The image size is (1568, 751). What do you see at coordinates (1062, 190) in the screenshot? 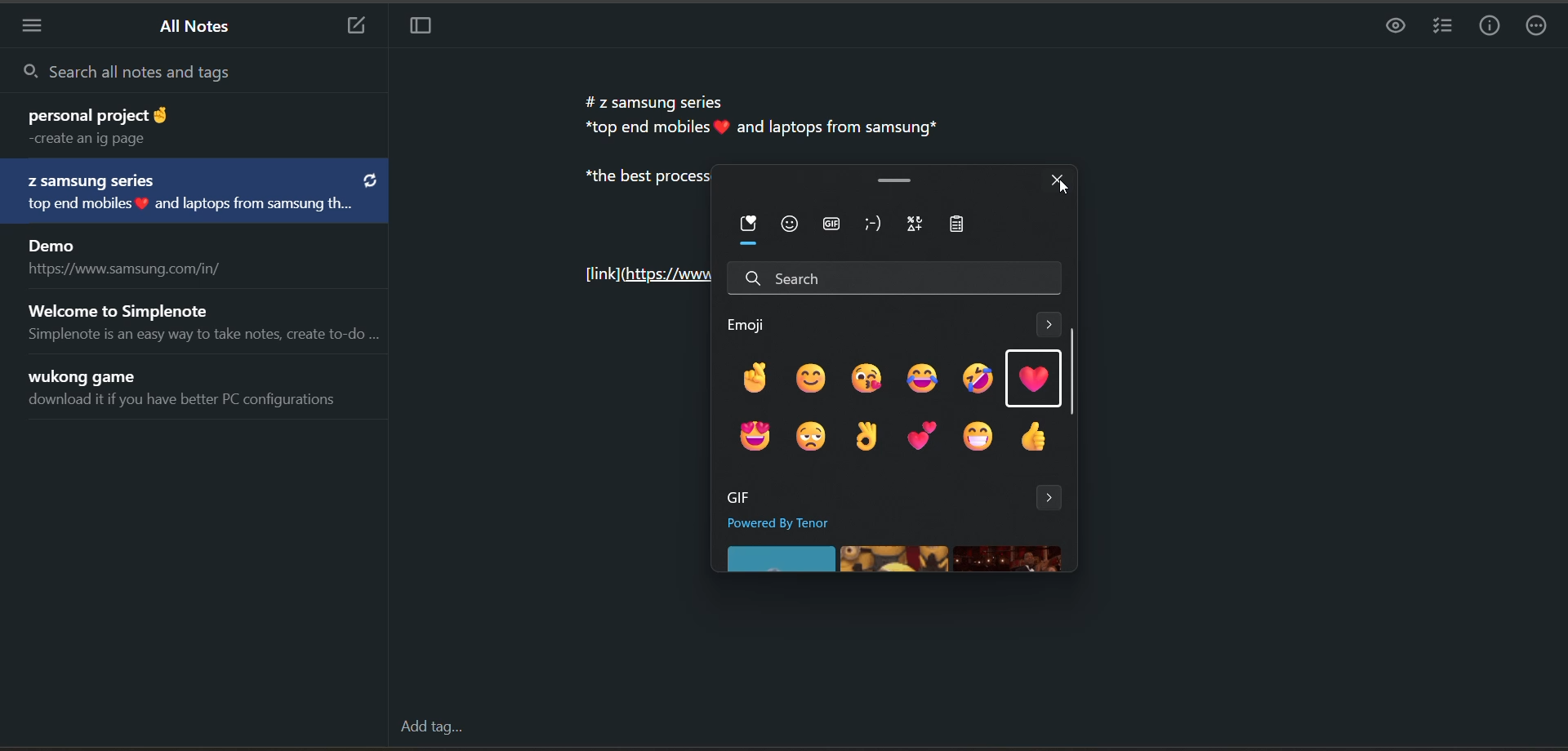
I see `cursor` at bounding box center [1062, 190].